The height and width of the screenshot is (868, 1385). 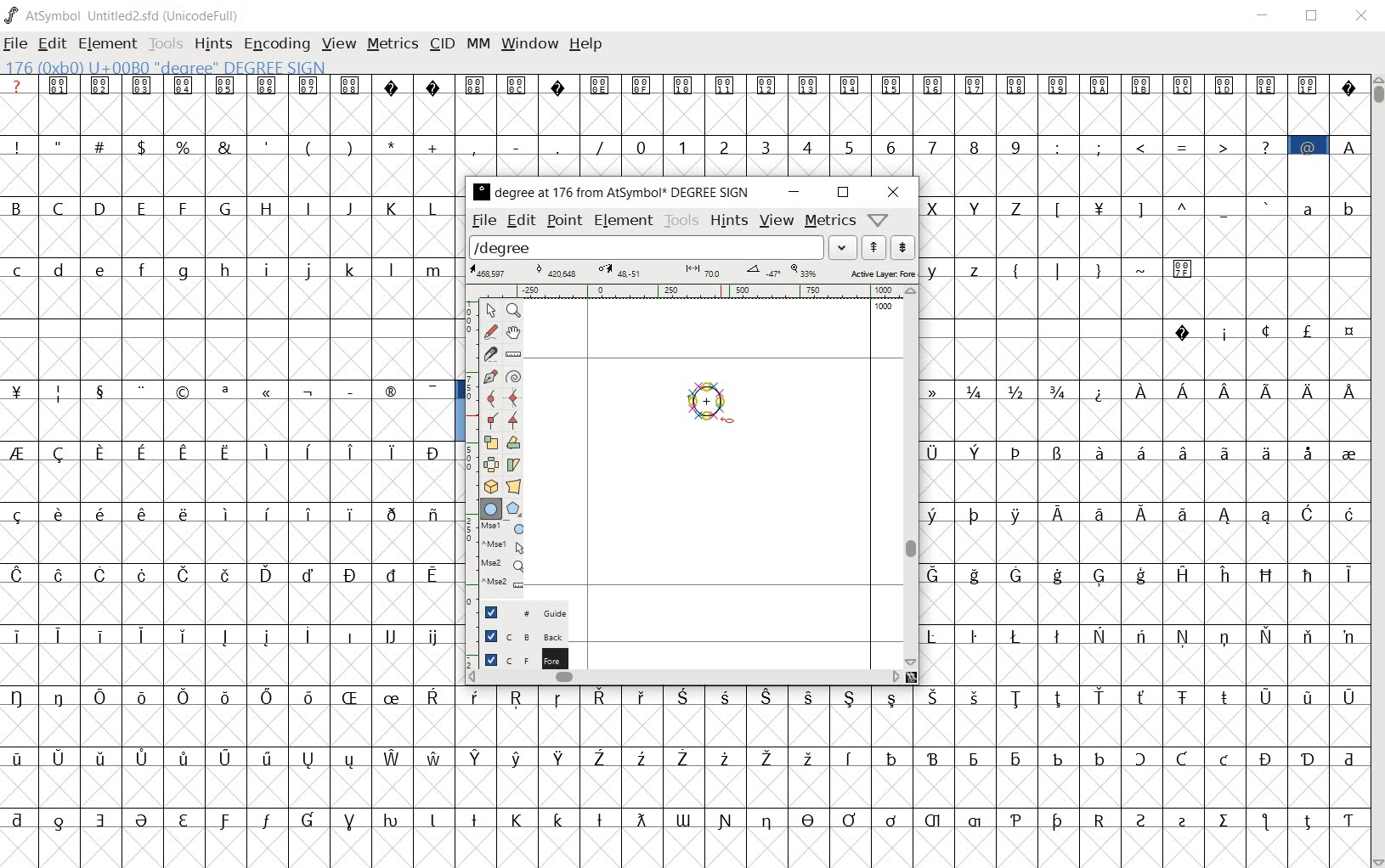 What do you see at coordinates (489, 353) in the screenshot?
I see `cut splines in two` at bounding box center [489, 353].